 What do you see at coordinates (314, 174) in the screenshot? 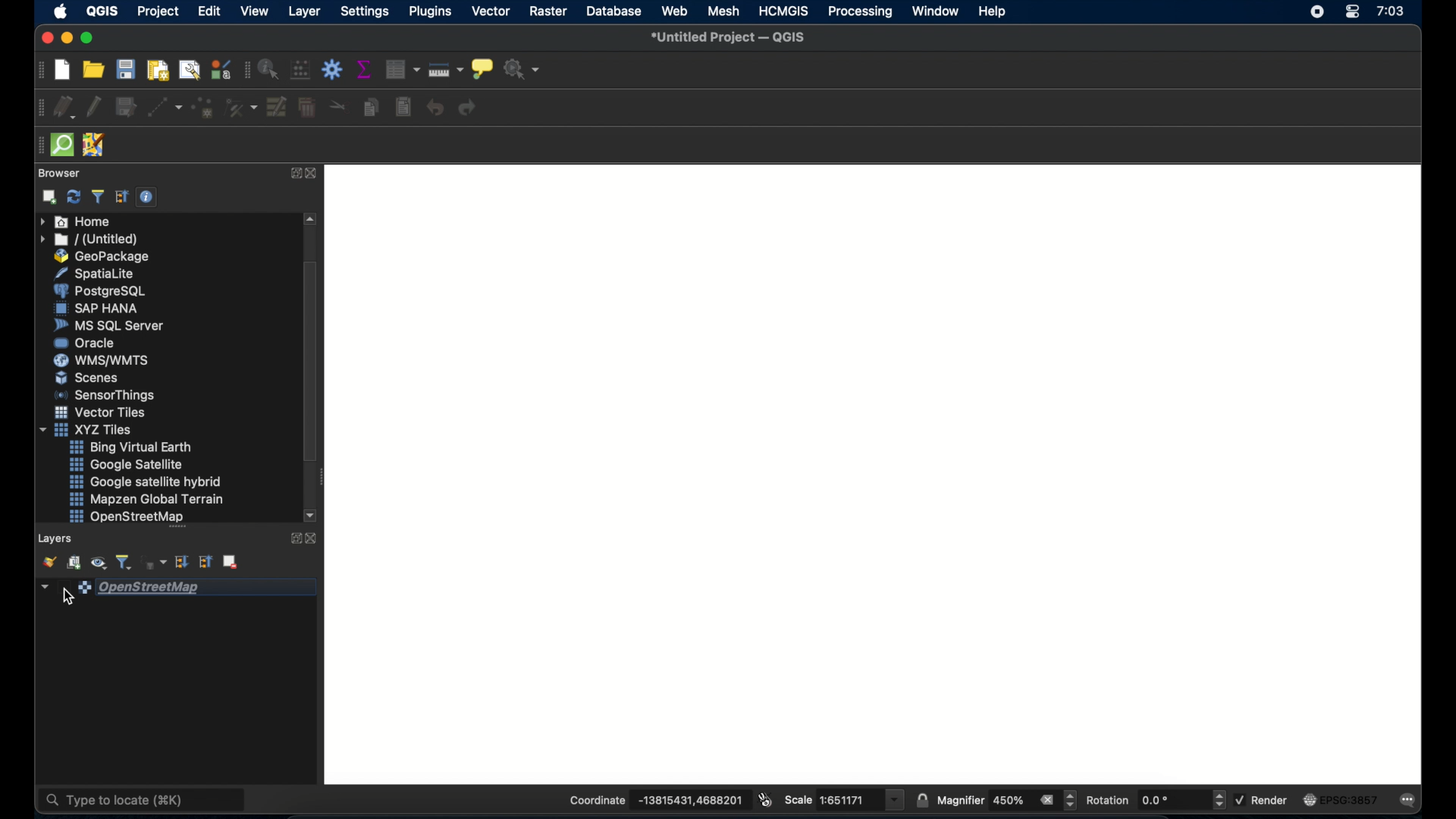
I see `close` at bounding box center [314, 174].